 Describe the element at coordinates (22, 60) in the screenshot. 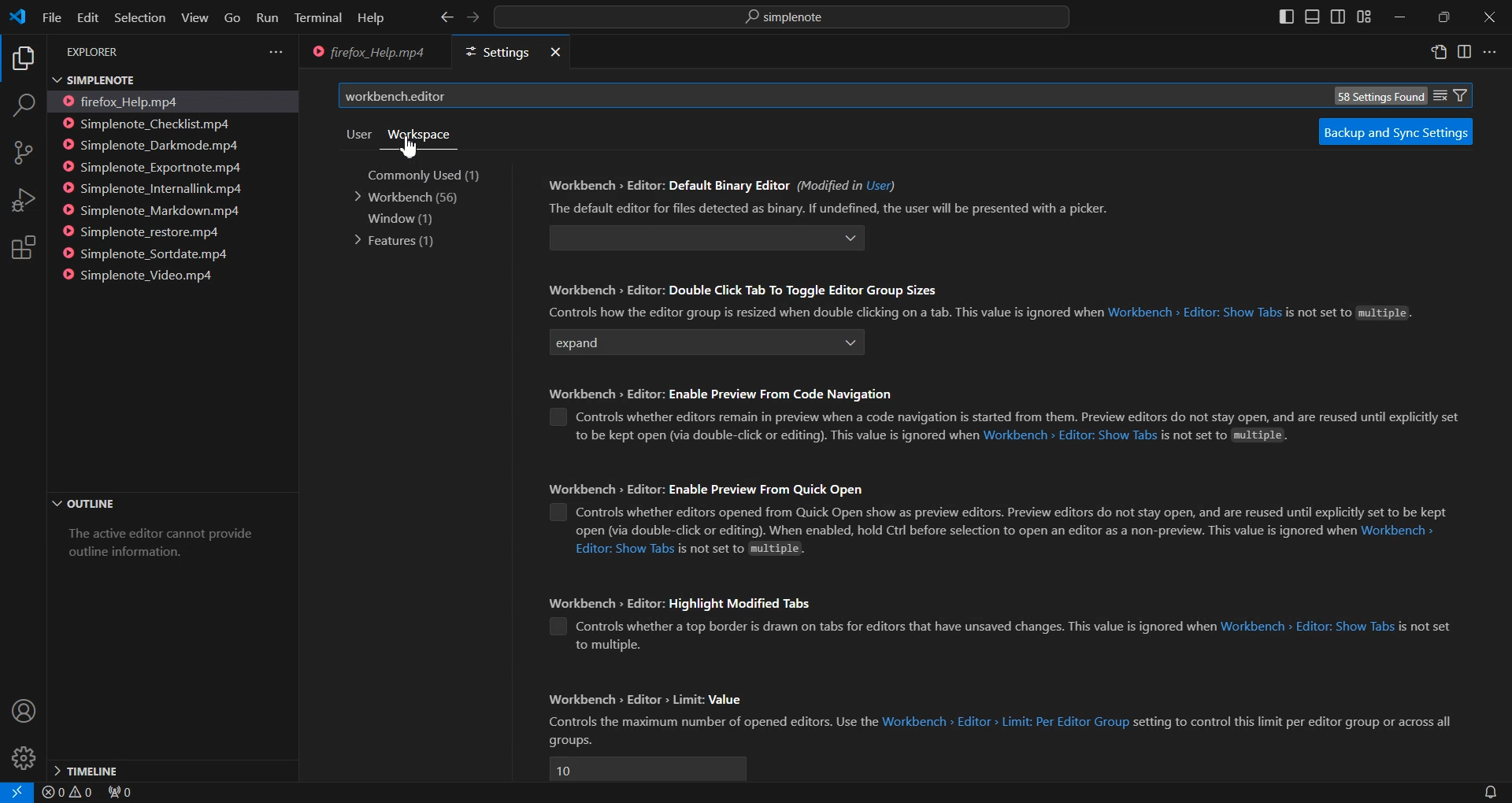

I see `Explorer` at that location.